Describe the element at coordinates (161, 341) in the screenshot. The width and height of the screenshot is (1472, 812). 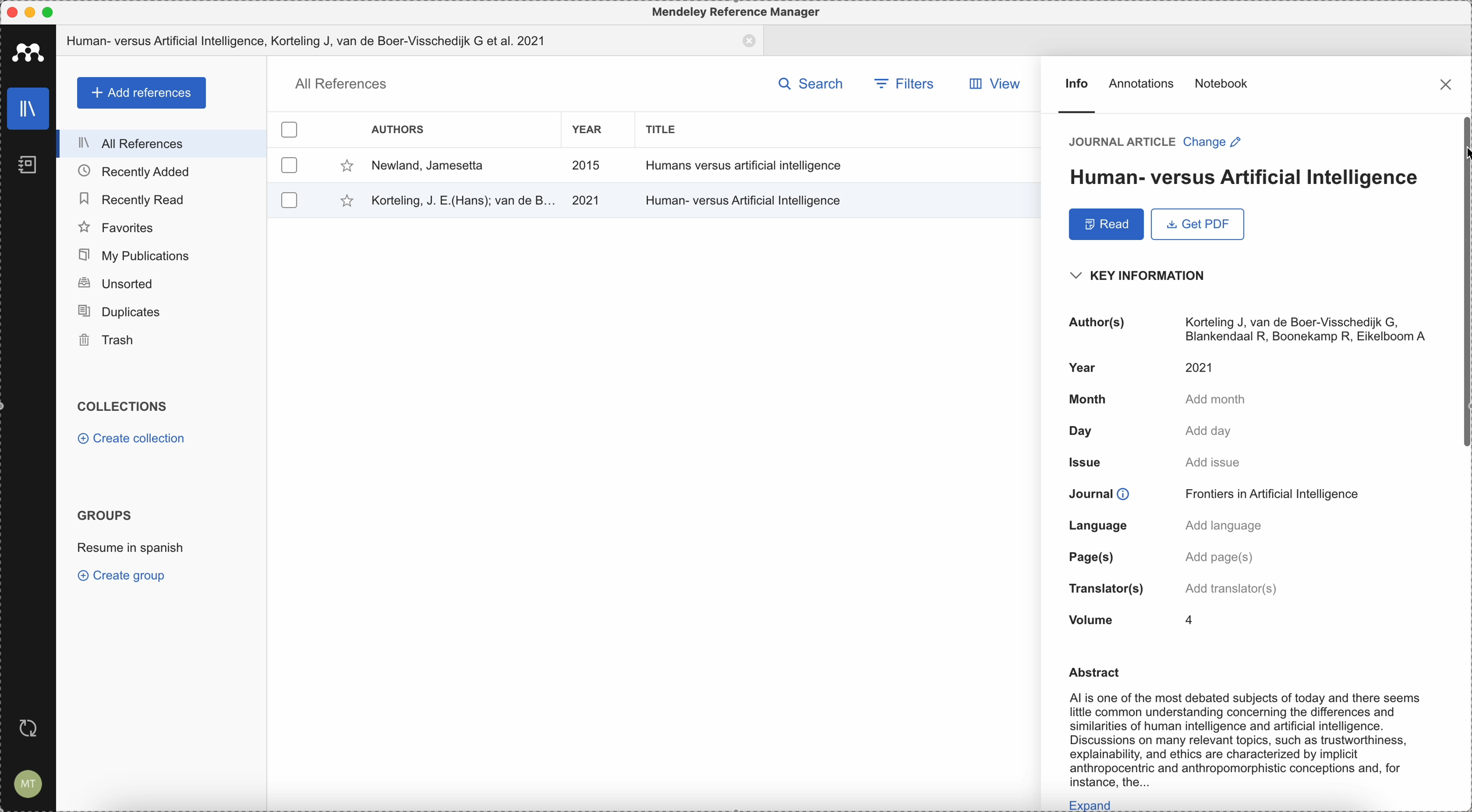
I see `trash` at that location.